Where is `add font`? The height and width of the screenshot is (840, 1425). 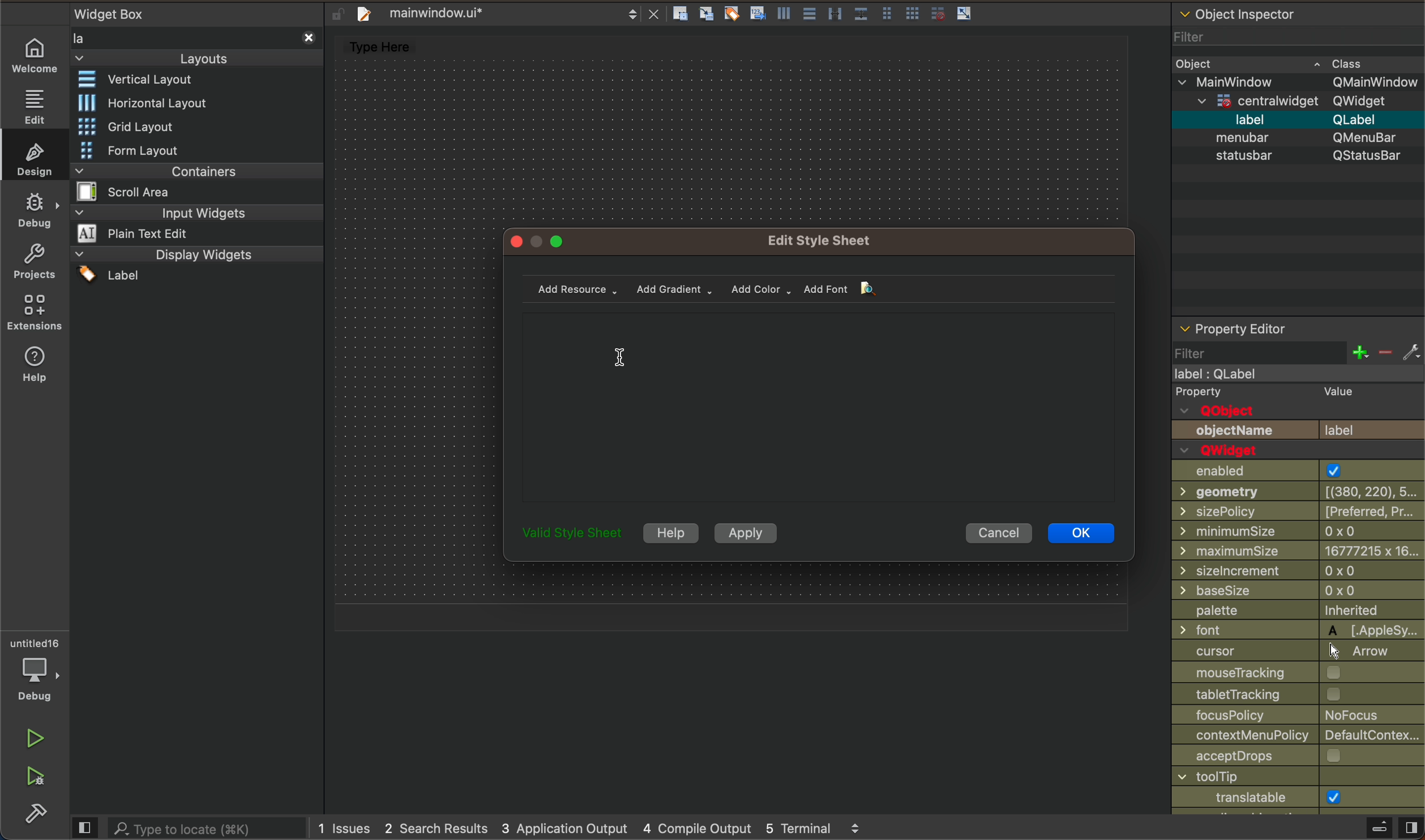
add font is located at coordinates (845, 289).